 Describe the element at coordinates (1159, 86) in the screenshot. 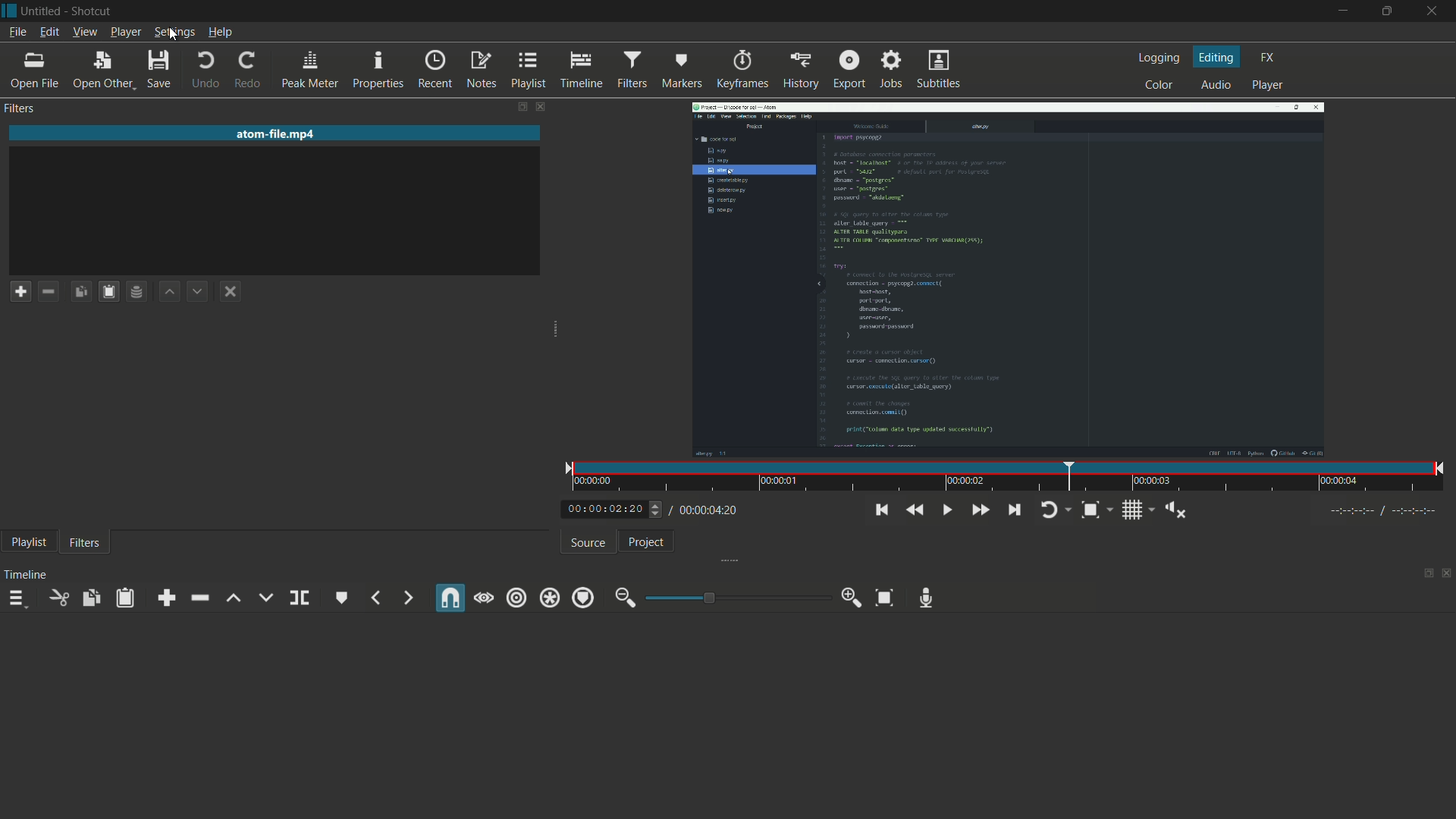

I see `color` at that location.